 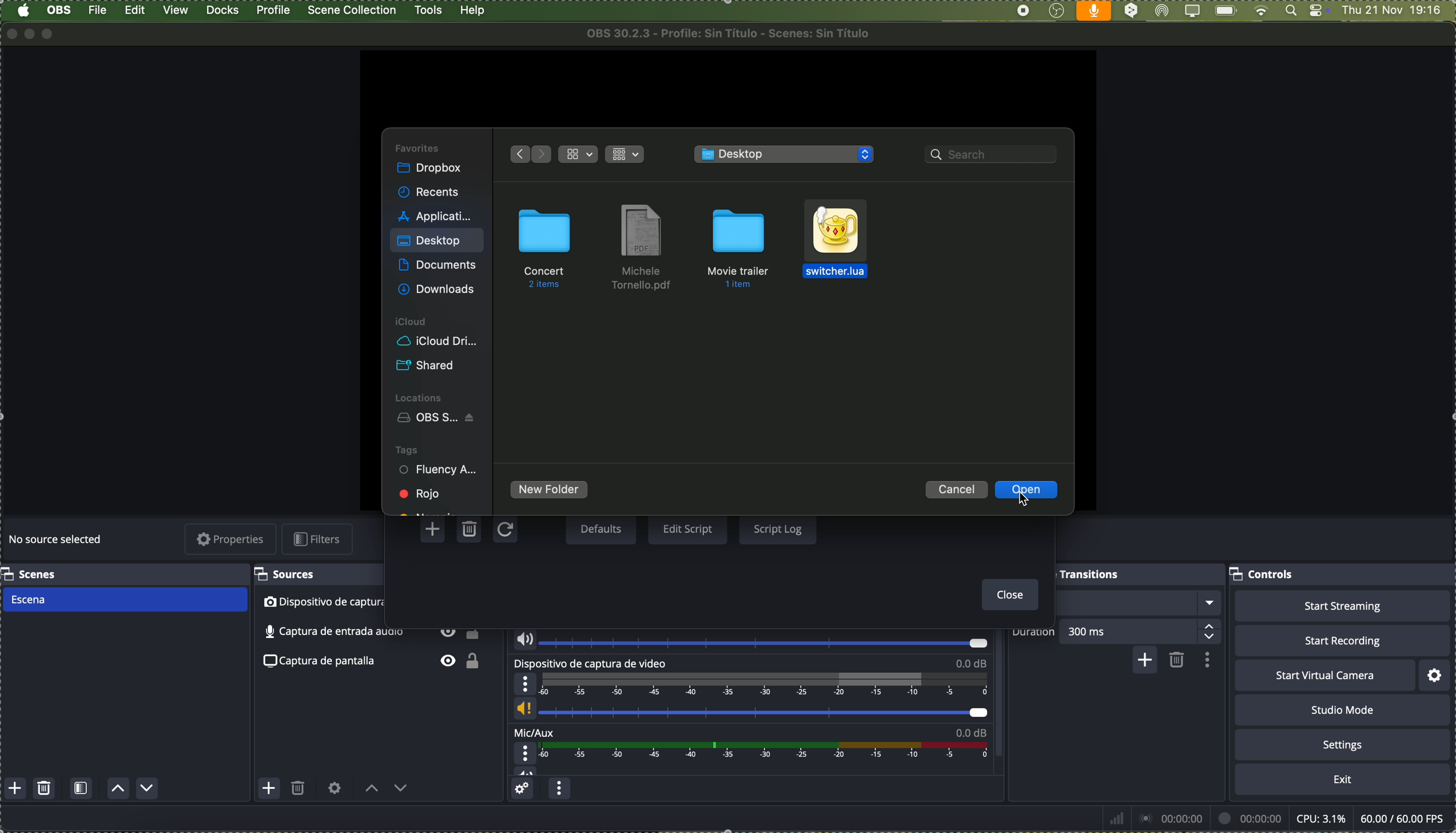 I want to click on stop recording, so click(x=1023, y=11).